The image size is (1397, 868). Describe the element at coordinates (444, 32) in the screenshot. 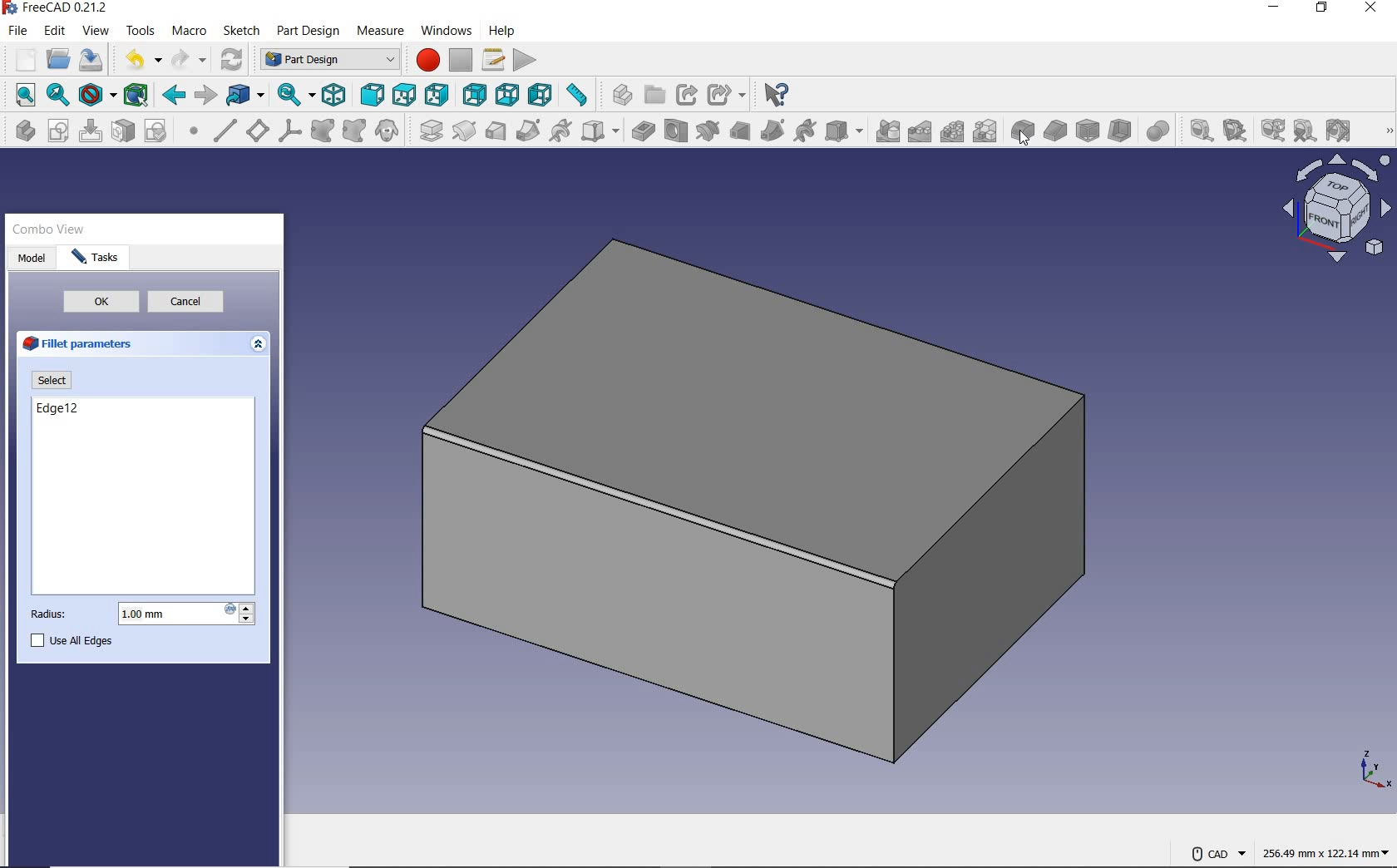

I see `windows` at that location.